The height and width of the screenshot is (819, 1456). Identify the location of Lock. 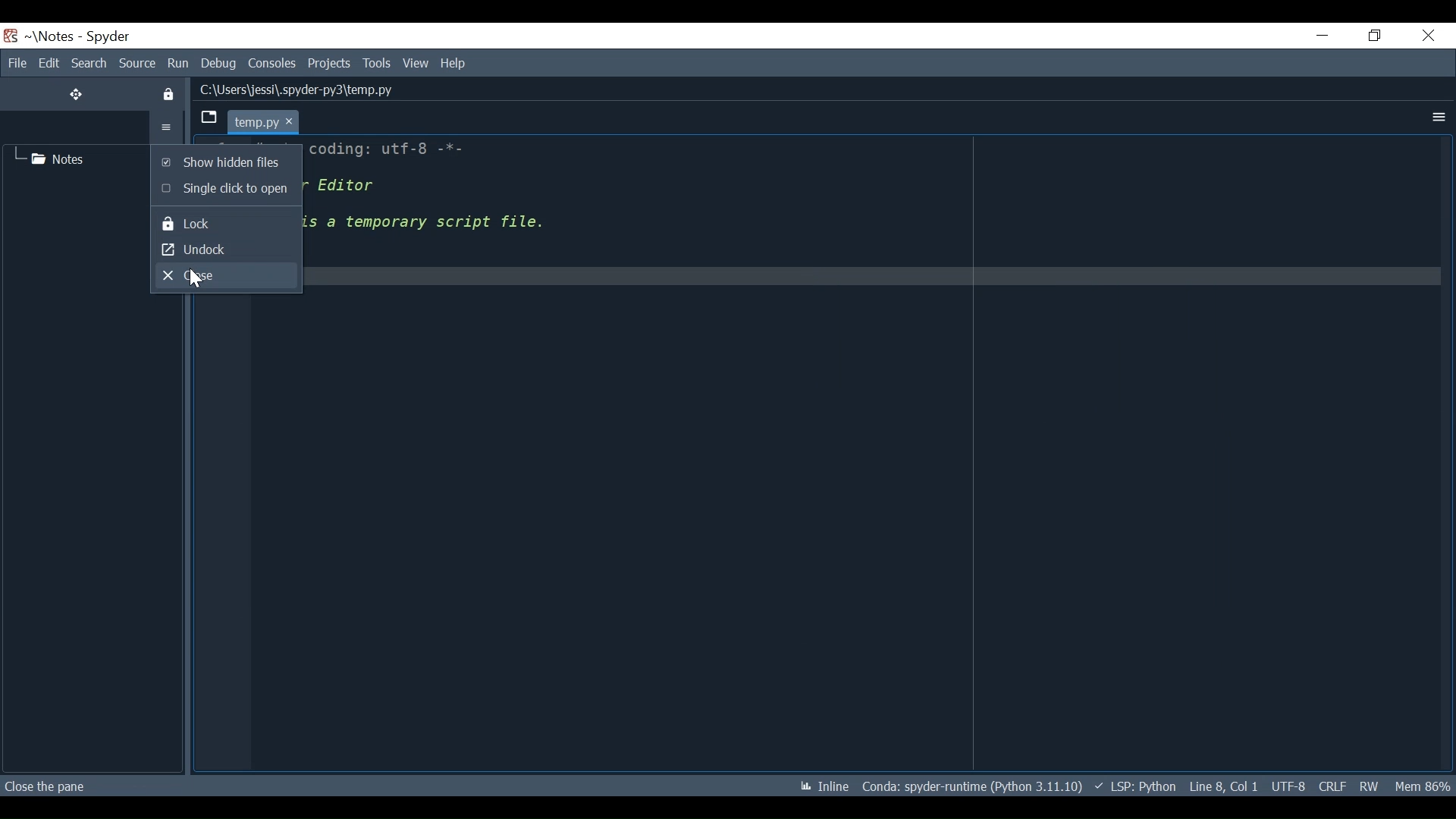
(225, 223).